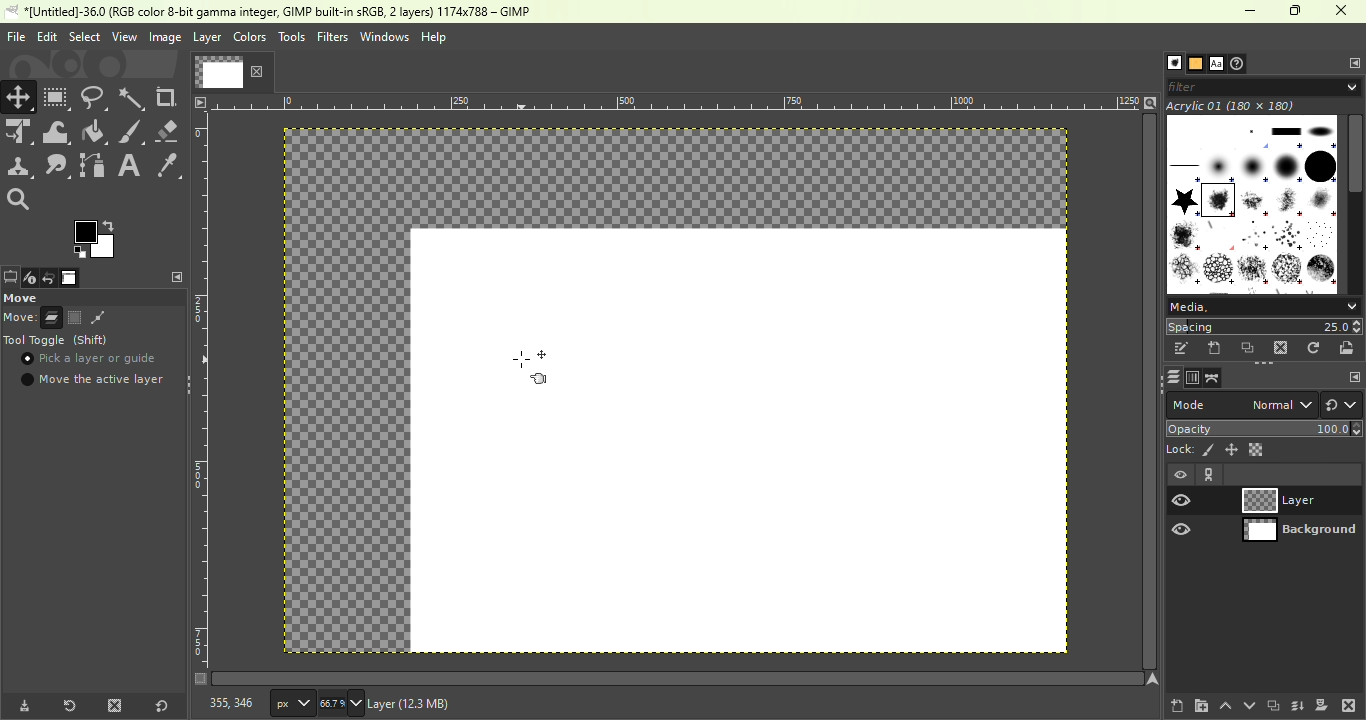 Image resolution: width=1366 pixels, height=720 pixels. I want to click on Lock pixels, so click(1190, 449).